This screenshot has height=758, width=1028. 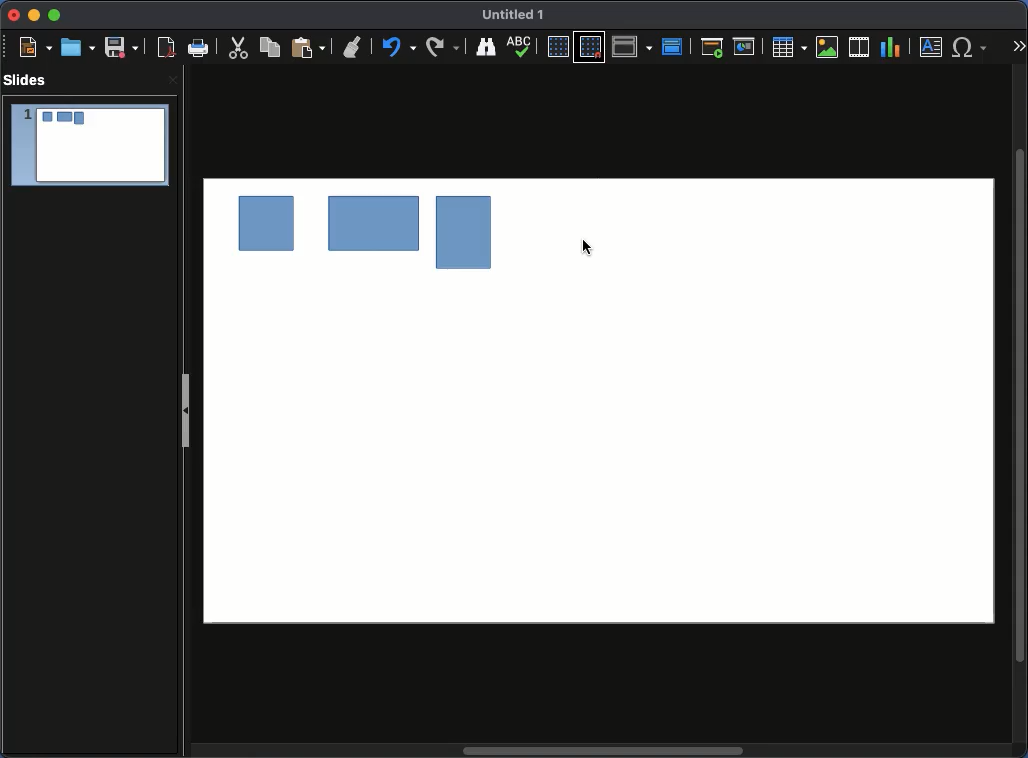 I want to click on Scroll, so click(x=1020, y=406).